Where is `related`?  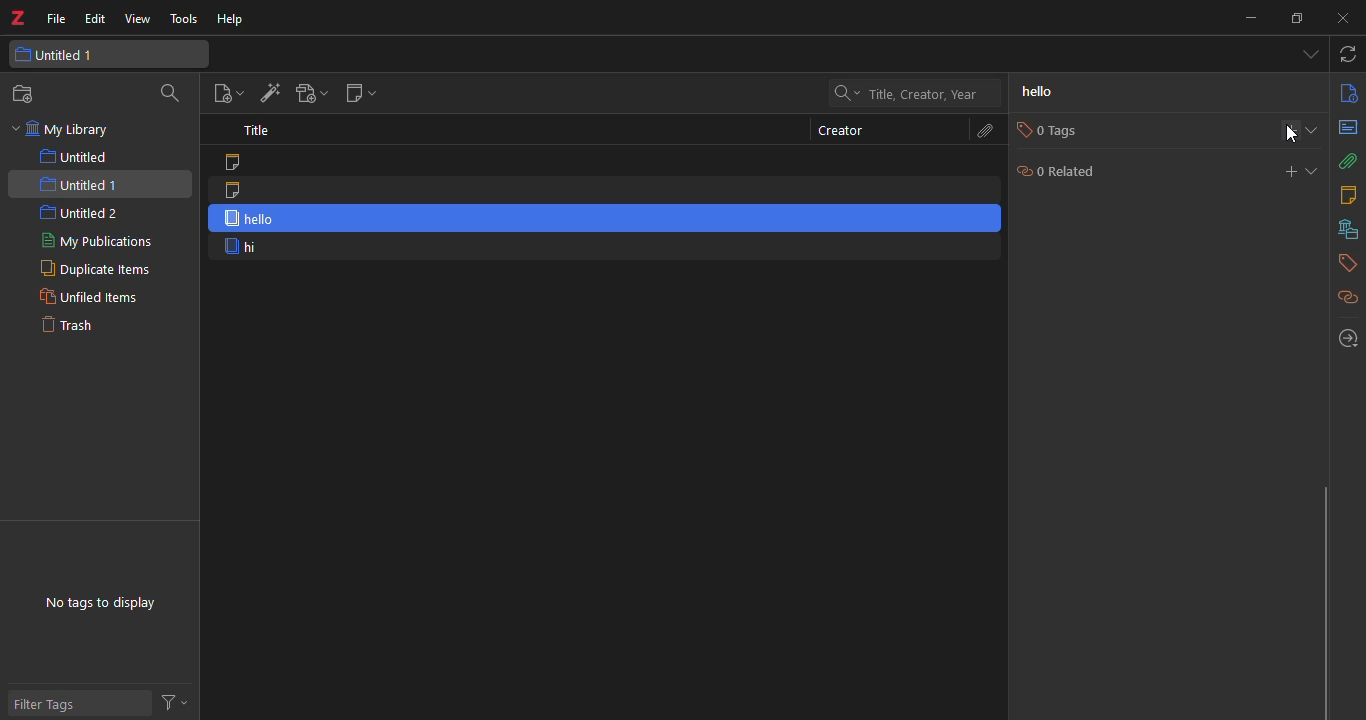
related is located at coordinates (1343, 296).